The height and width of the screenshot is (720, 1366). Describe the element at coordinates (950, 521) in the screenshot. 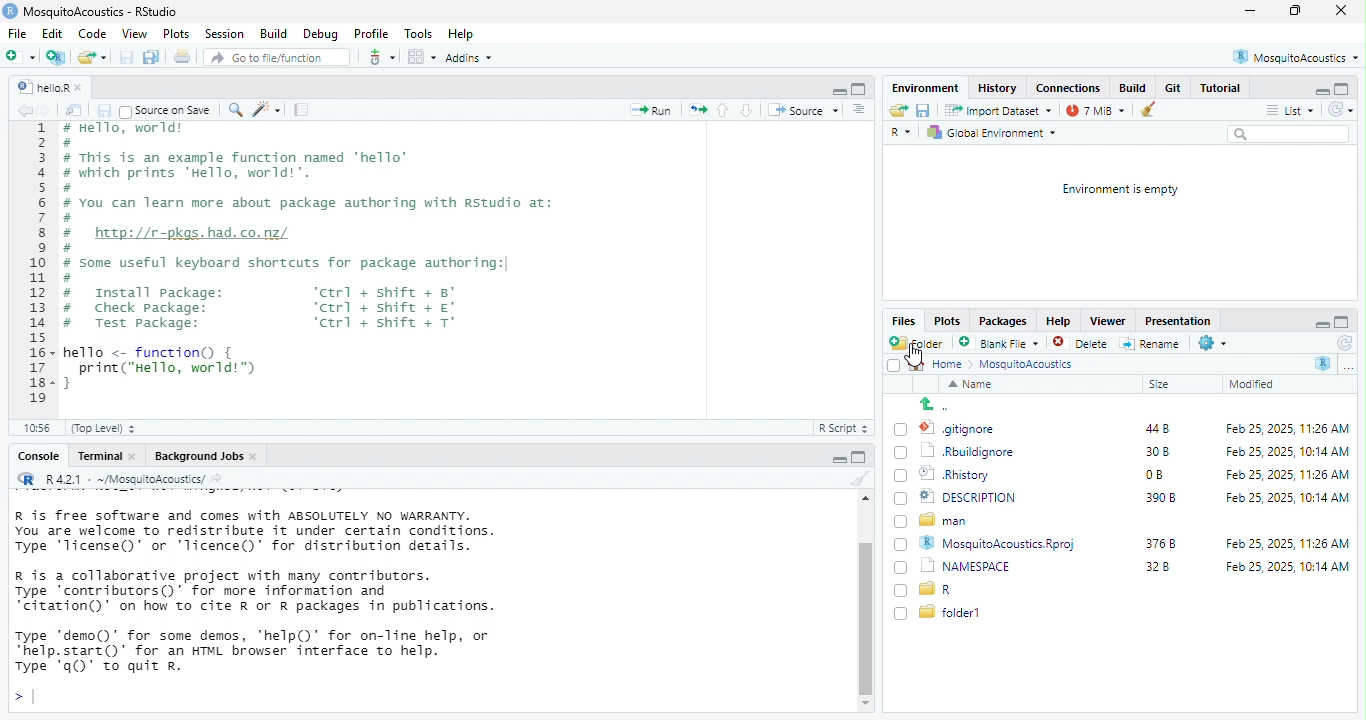

I see ` man` at that location.